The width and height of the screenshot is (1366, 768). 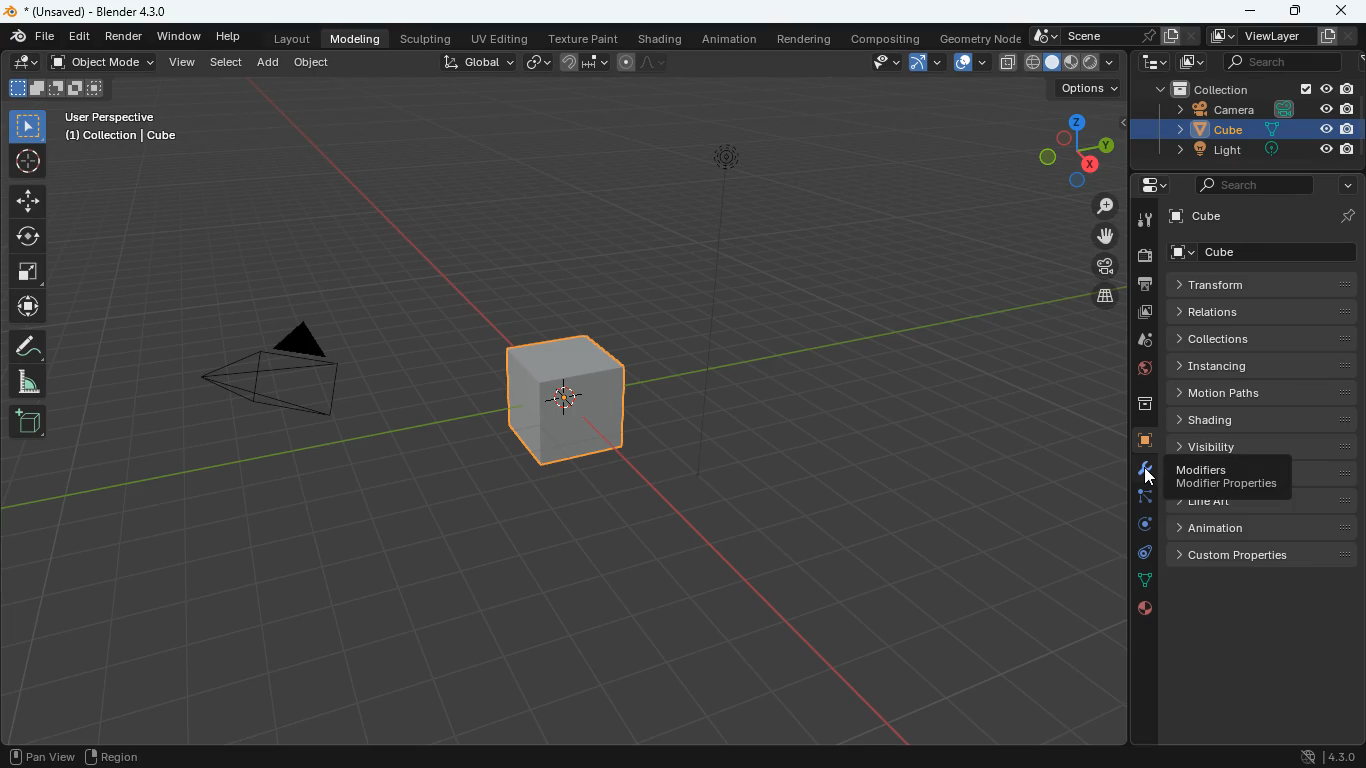 I want to click on aim, so click(x=29, y=162).